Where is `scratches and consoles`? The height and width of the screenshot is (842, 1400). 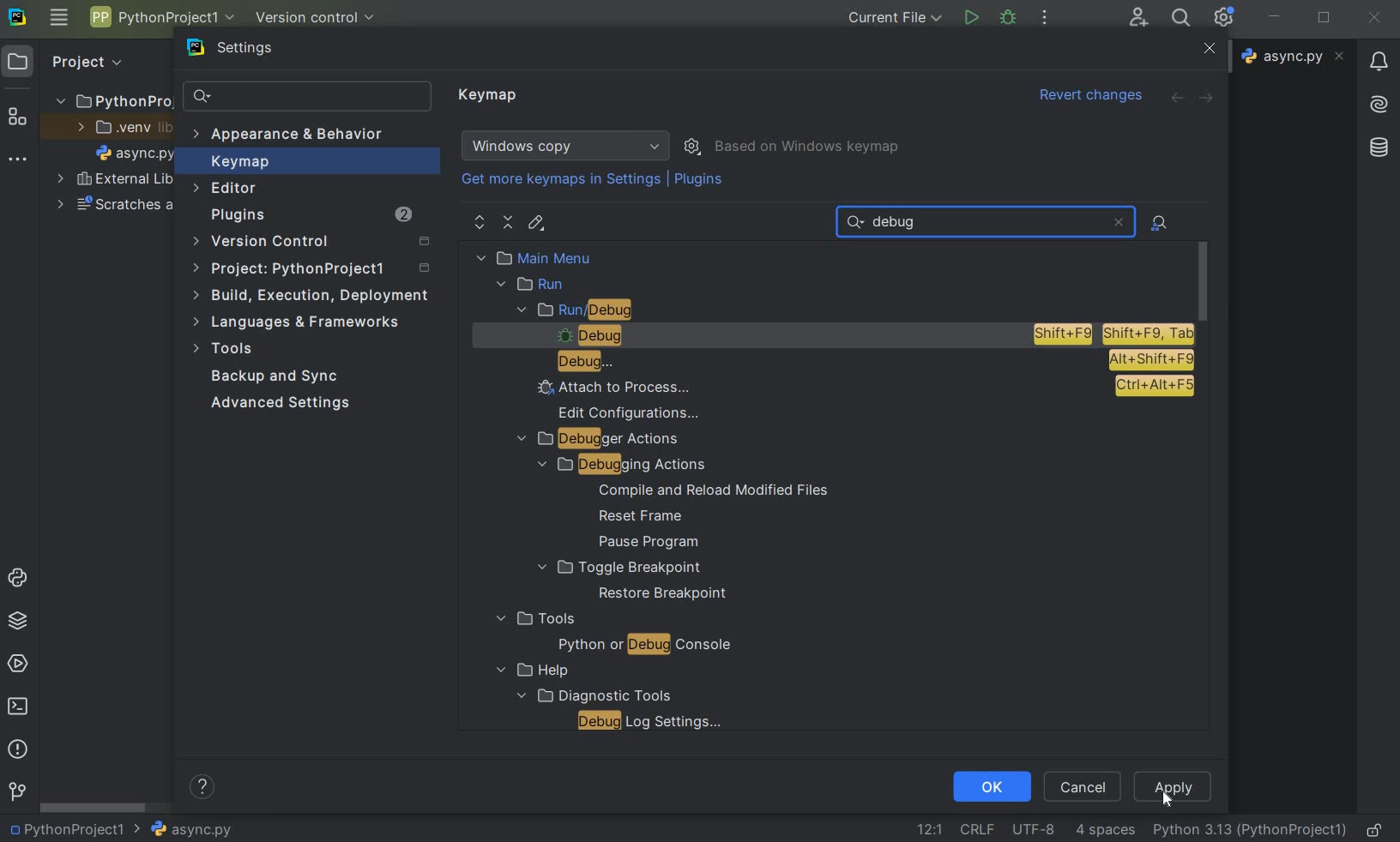
scratches and consoles is located at coordinates (116, 207).